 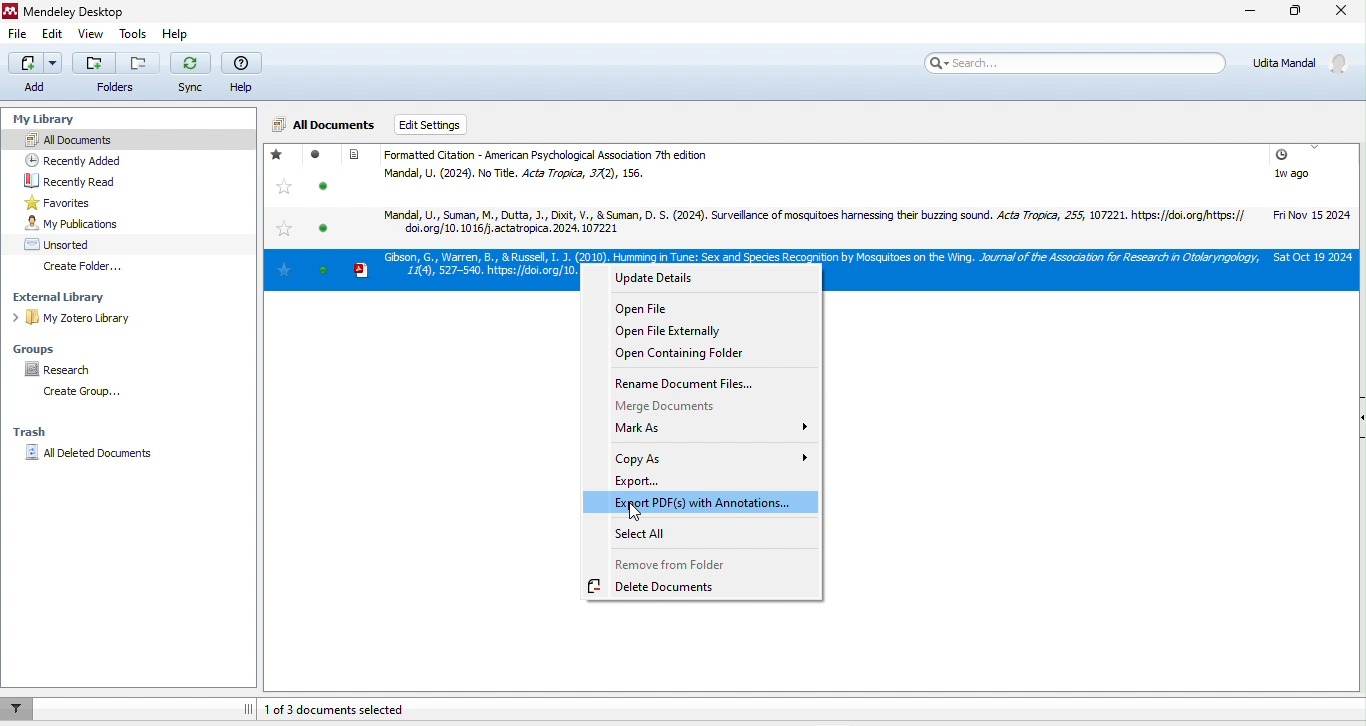 I want to click on unsorted, so click(x=67, y=243).